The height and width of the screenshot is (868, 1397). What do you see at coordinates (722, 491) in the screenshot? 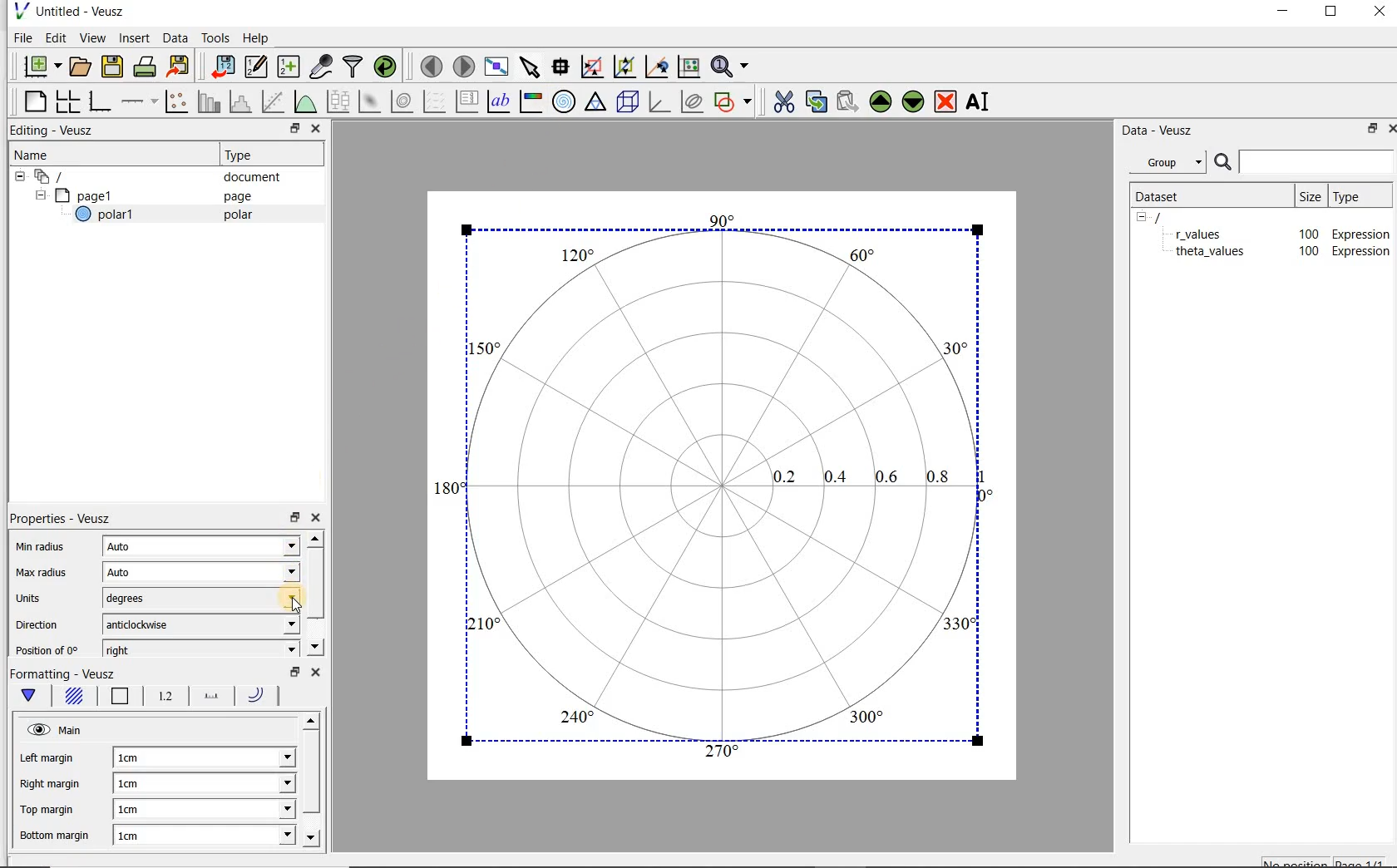
I see `Polar graph` at bounding box center [722, 491].